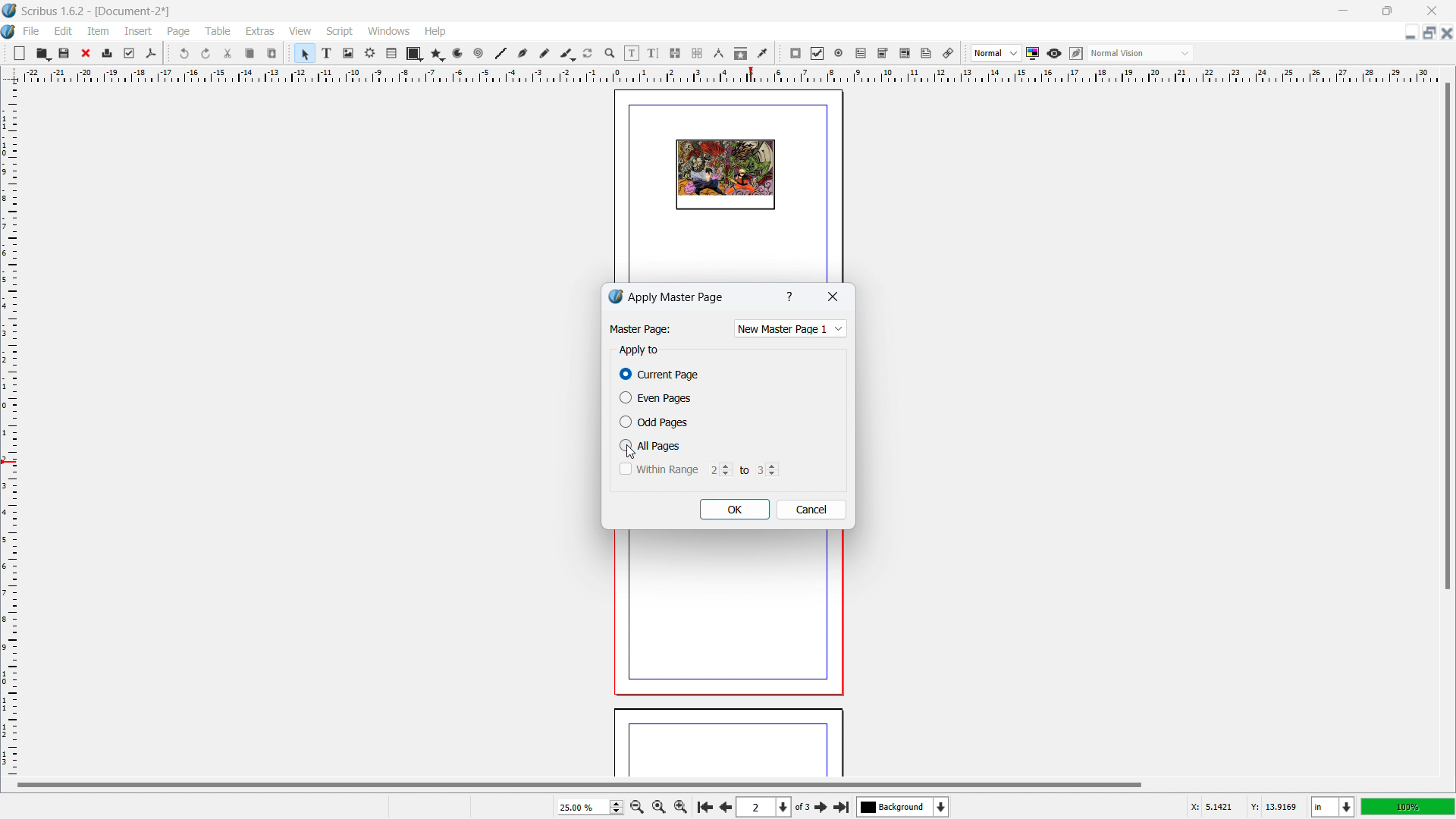 The width and height of the screenshot is (1456, 819). Describe the element at coordinates (905, 54) in the screenshot. I see `pdf list box` at that location.